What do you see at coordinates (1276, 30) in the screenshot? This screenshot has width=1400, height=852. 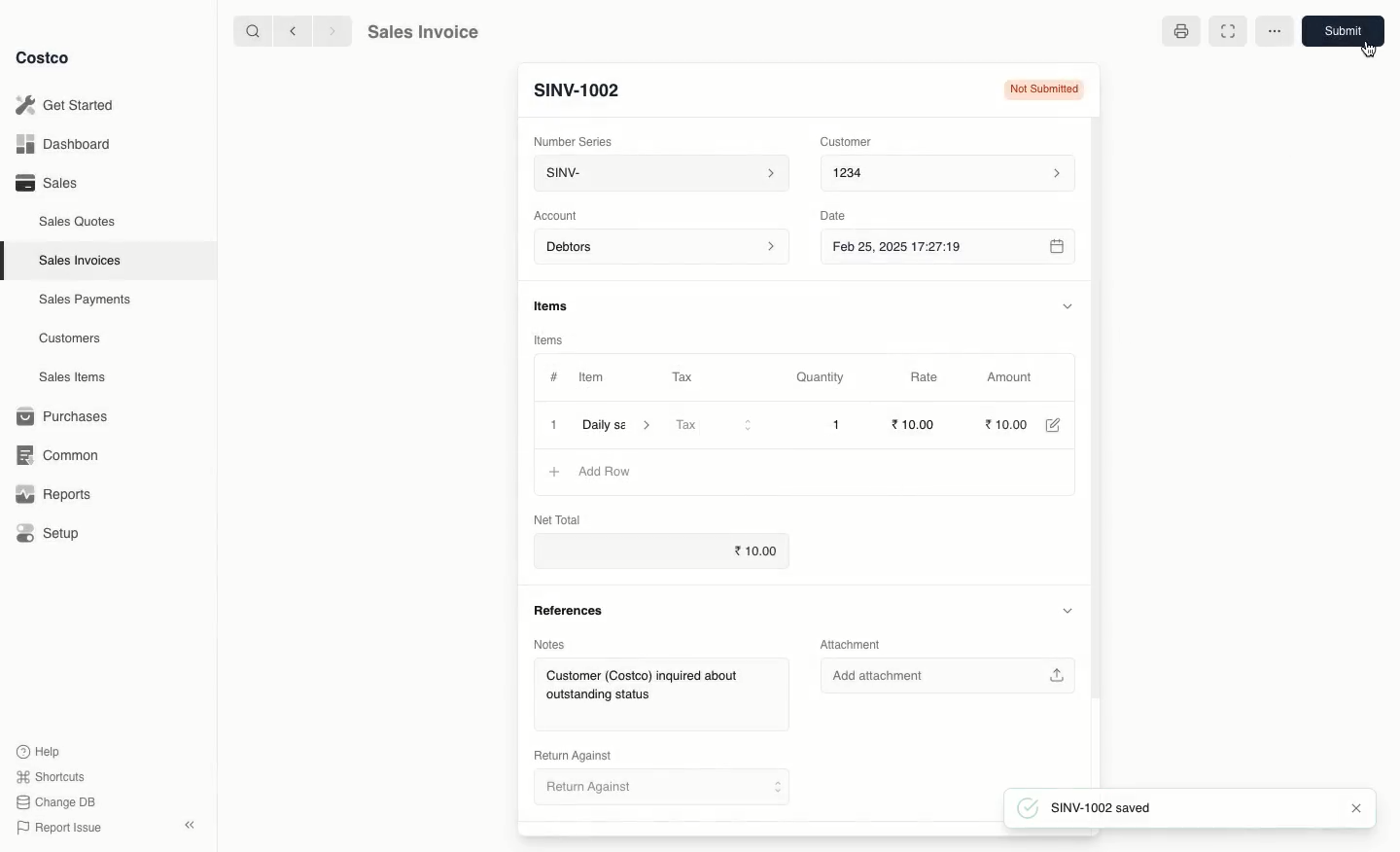 I see `More options` at bounding box center [1276, 30].